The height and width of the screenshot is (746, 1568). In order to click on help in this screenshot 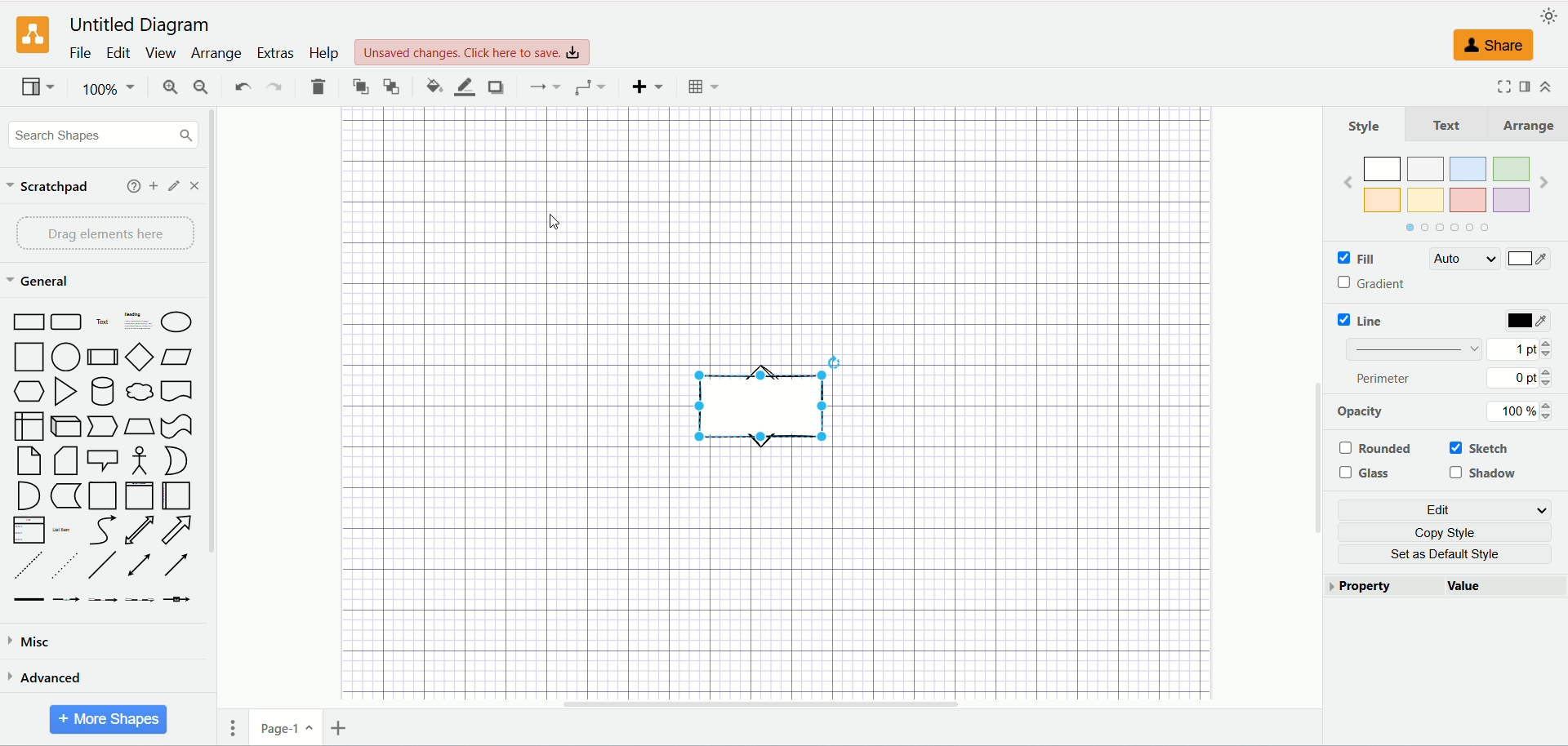, I will do `click(327, 54)`.